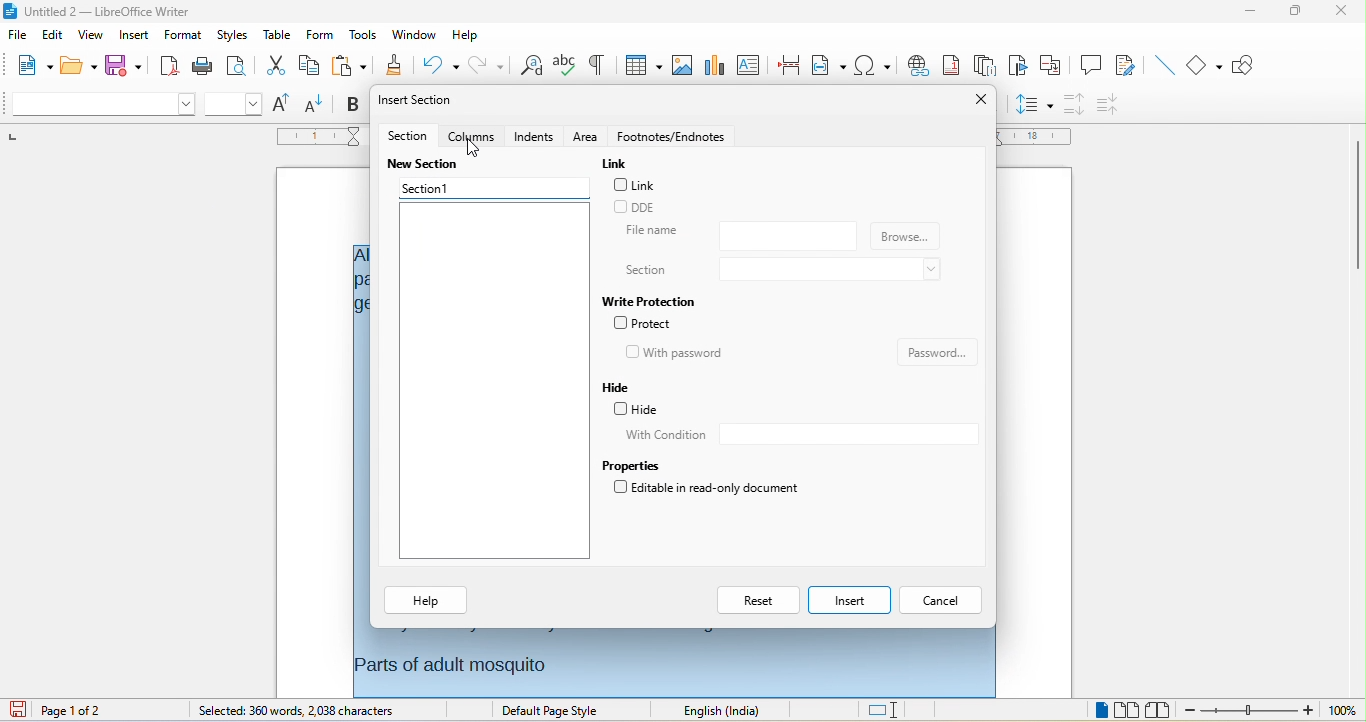  What do you see at coordinates (78, 64) in the screenshot?
I see `open` at bounding box center [78, 64].